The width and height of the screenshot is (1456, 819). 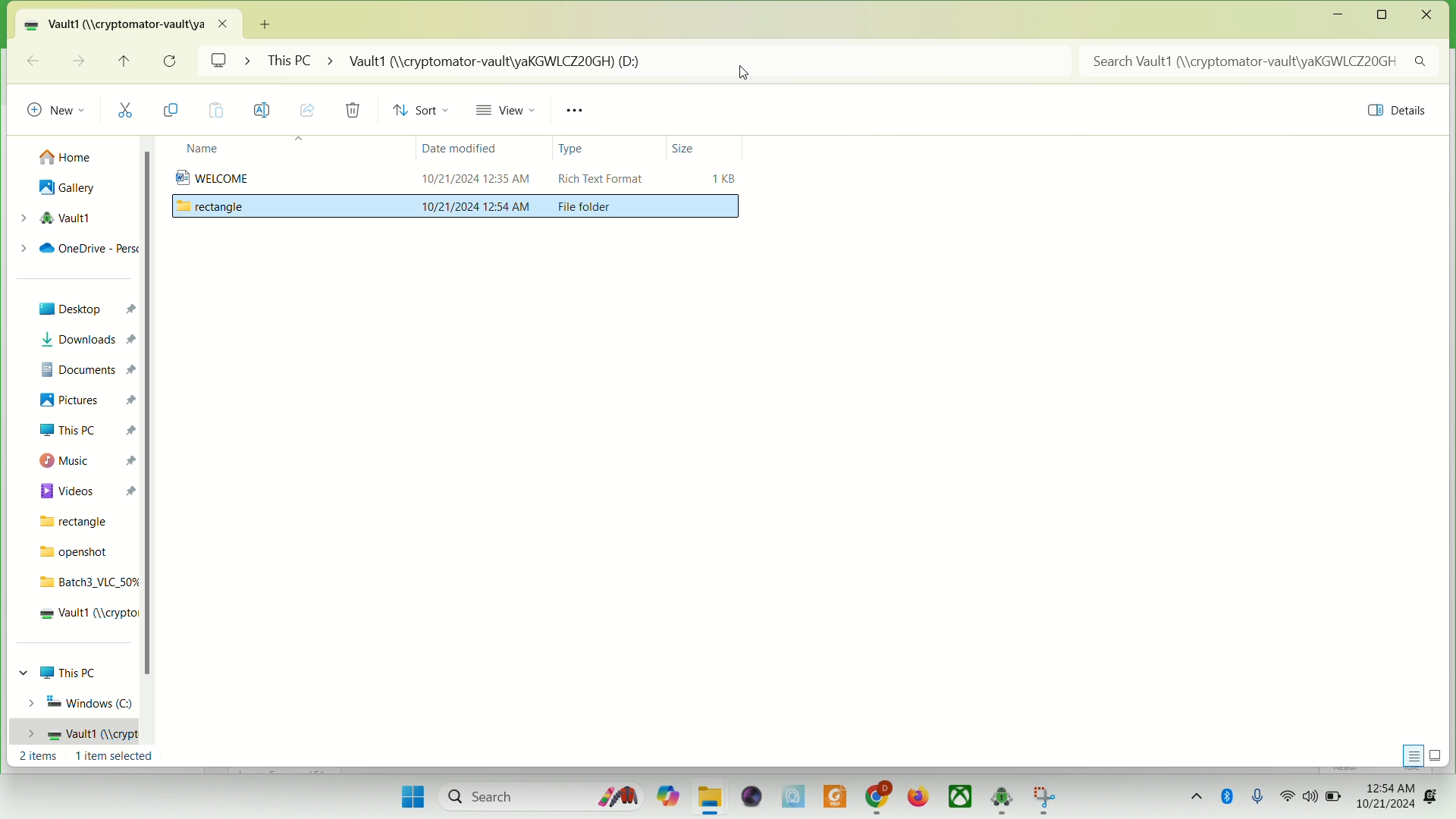 What do you see at coordinates (1002, 798) in the screenshot?
I see `cryptomator` at bounding box center [1002, 798].